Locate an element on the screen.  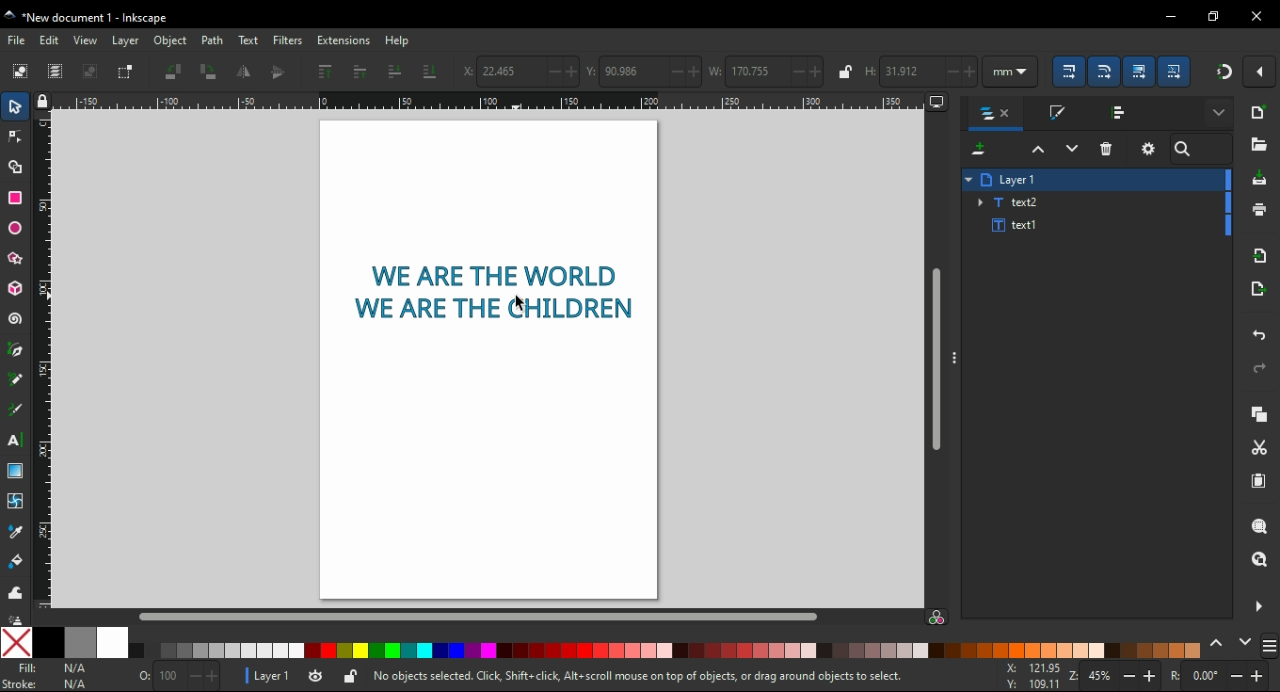
extension is located at coordinates (343, 42).